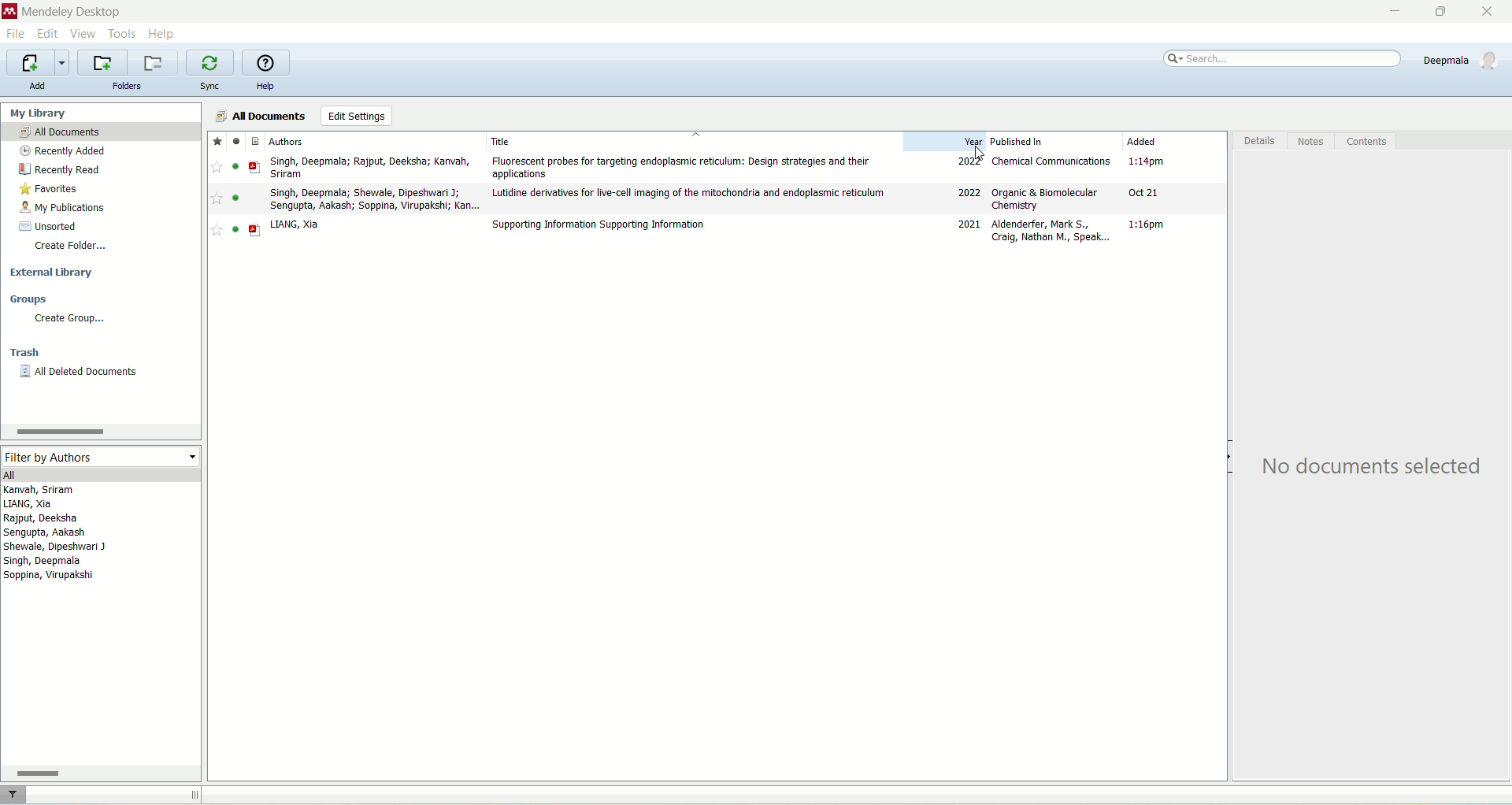  What do you see at coordinates (100, 455) in the screenshot?
I see `filter by authors` at bounding box center [100, 455].